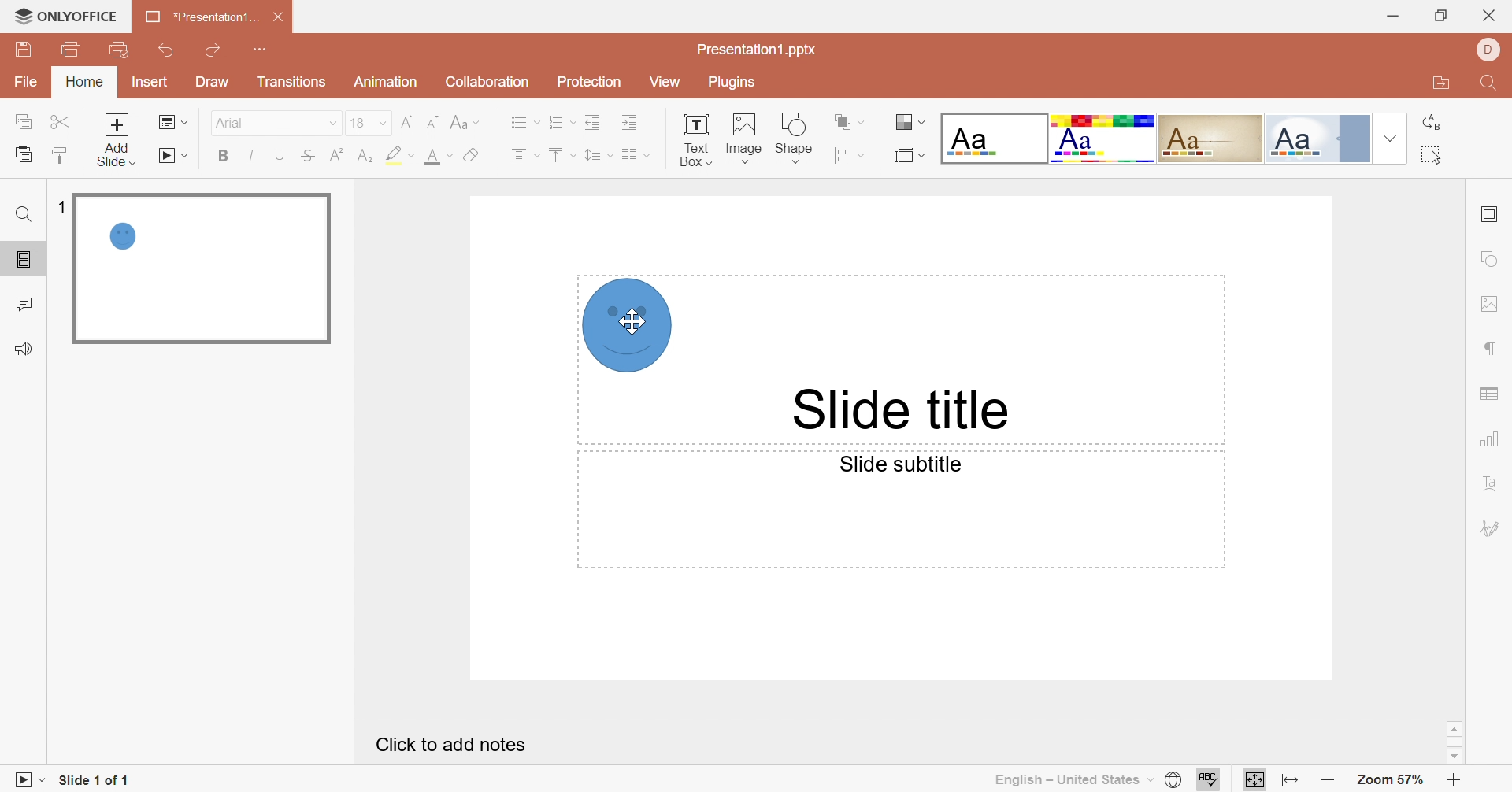  What do you see at coordinates (1493, 439) in the screenshot?
I see `chart settings` at bounding box center [1493, 439].